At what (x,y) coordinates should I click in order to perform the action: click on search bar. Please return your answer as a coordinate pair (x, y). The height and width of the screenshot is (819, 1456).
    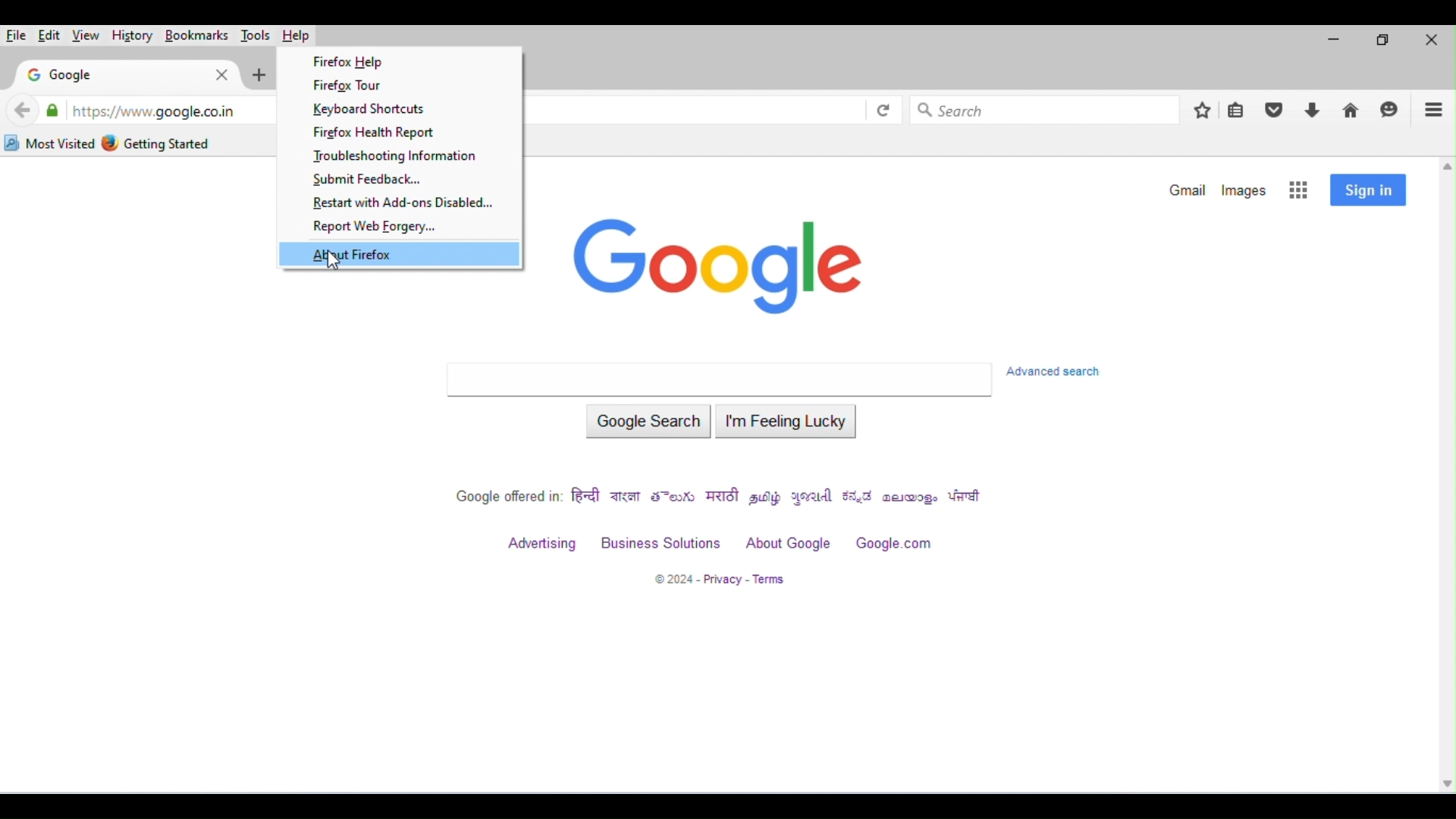
    Looking at the image, I should click on (718, 380).